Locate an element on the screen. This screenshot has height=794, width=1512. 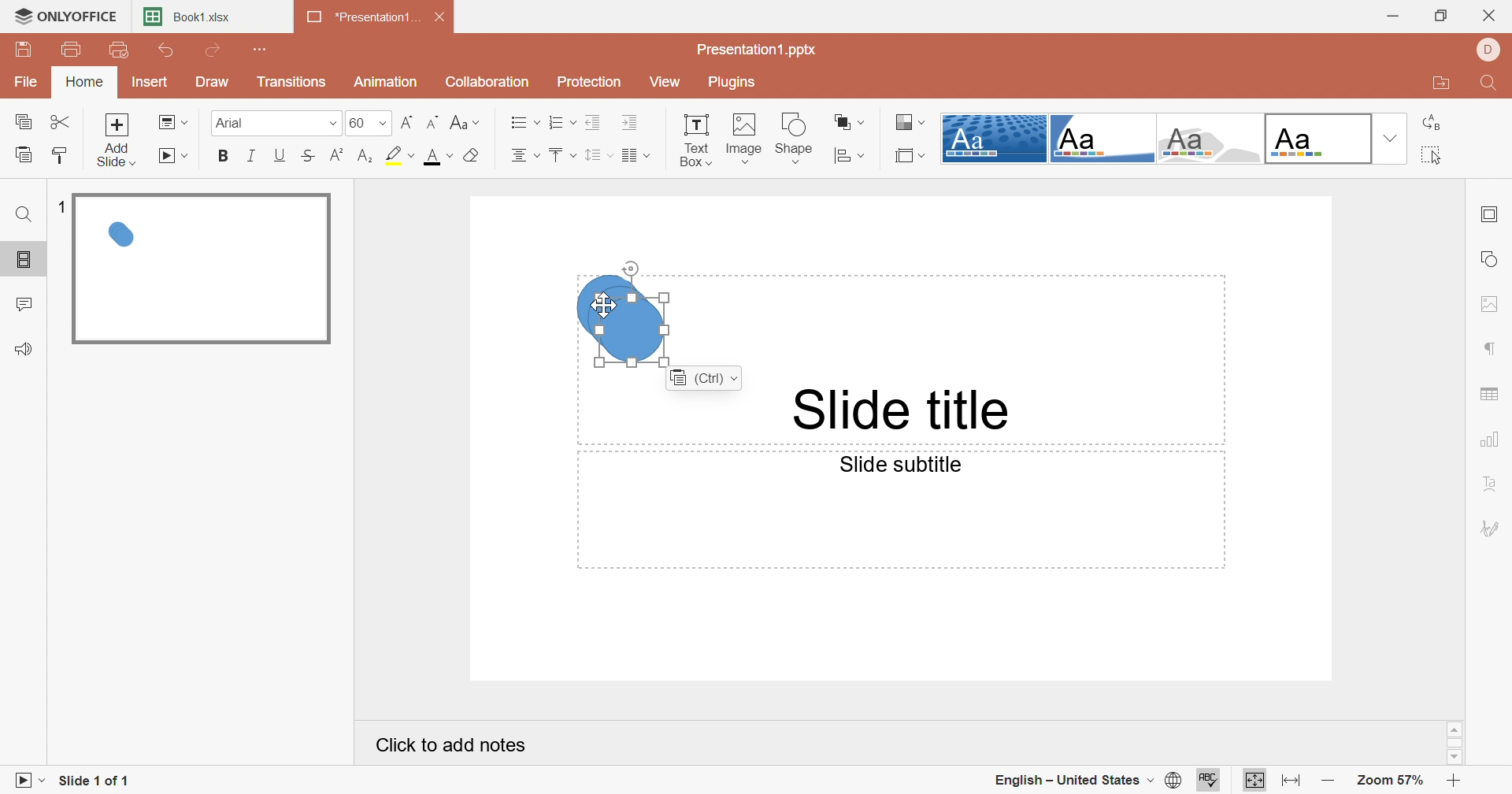
Start slideshow is located at coordinates (26, 783).